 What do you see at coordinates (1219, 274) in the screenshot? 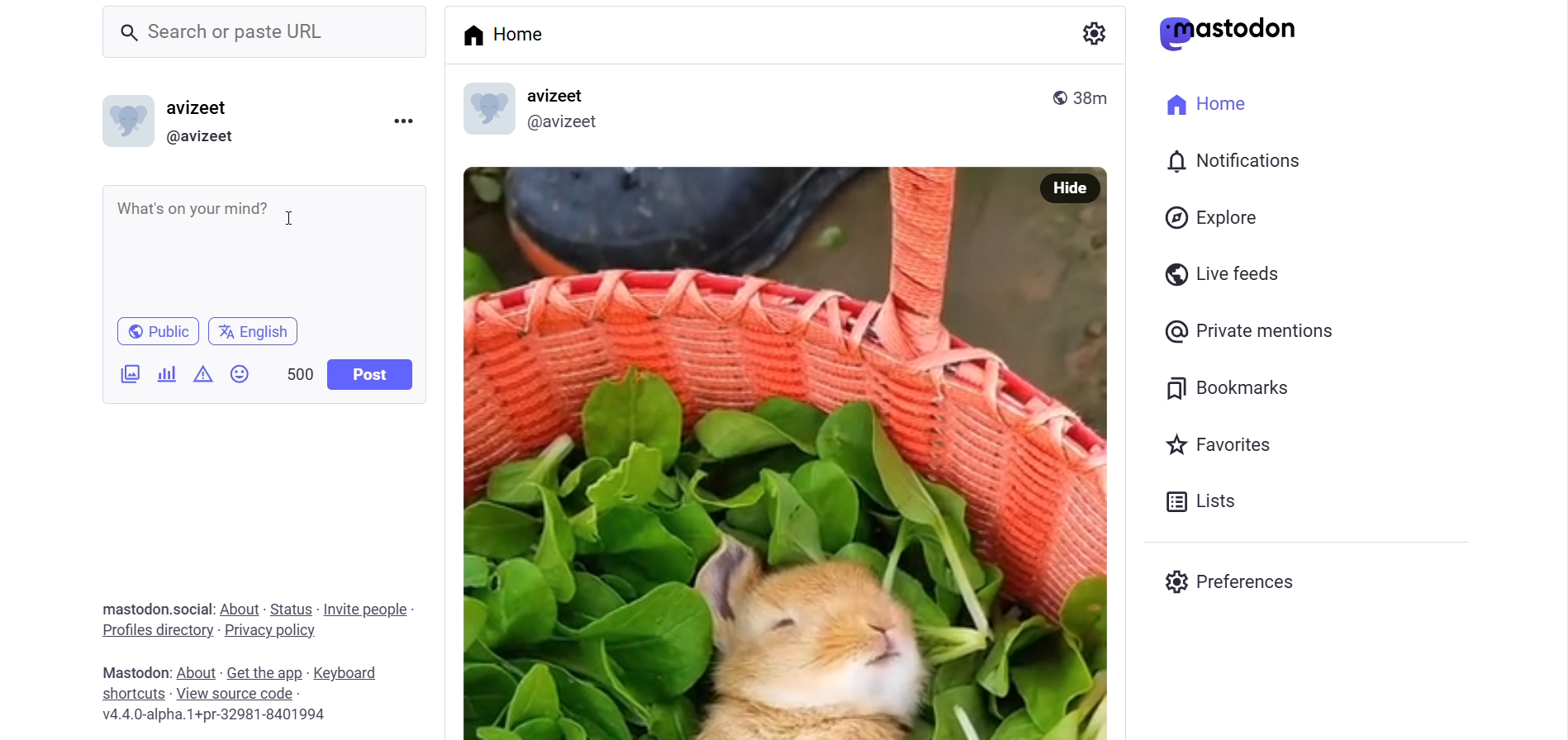
I see `Live Feeds` at bounding box center [1219, 274].